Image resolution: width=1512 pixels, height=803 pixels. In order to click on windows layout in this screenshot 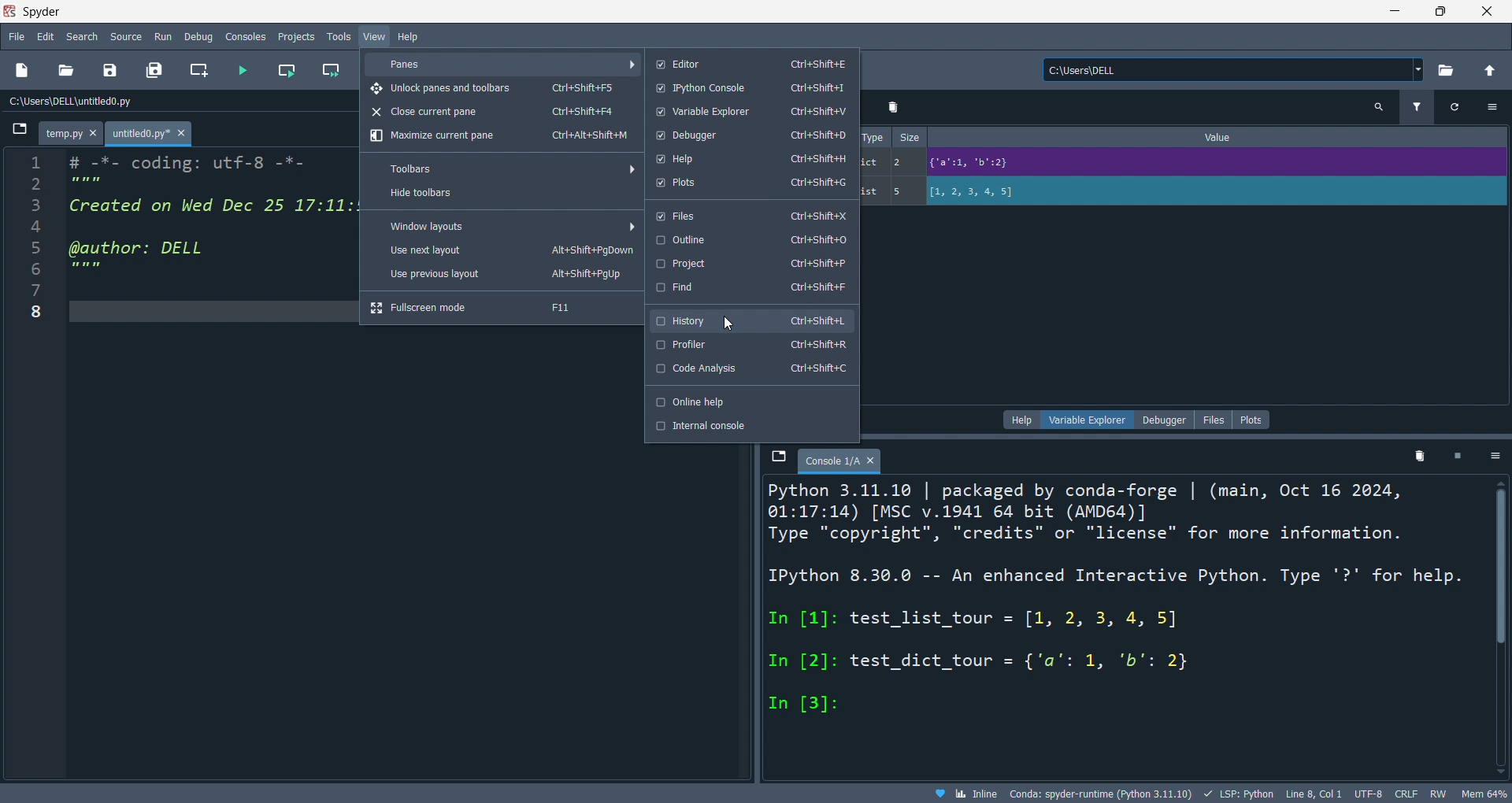, I will do `click(507, 225)`.